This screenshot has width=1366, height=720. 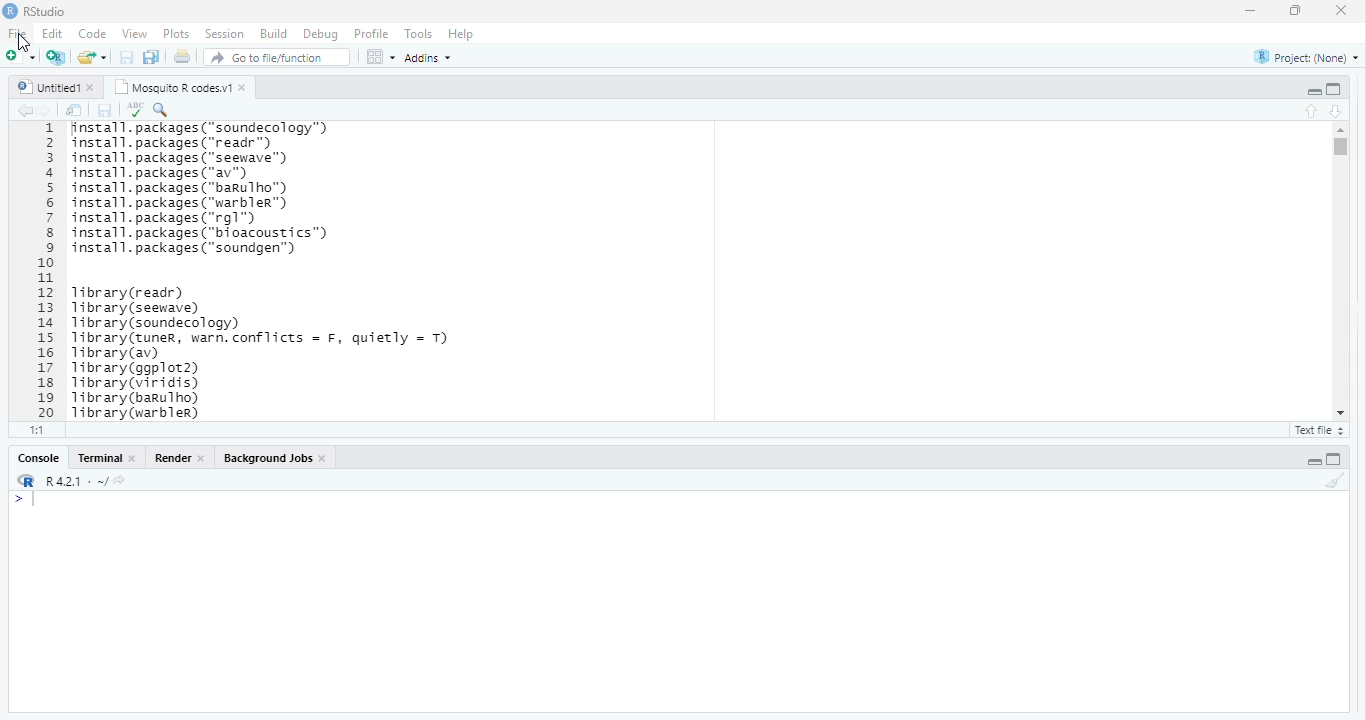 What do you see at coordinates (93, 57) in the screenshot?
I see `share` at bounding box center [93, 57].